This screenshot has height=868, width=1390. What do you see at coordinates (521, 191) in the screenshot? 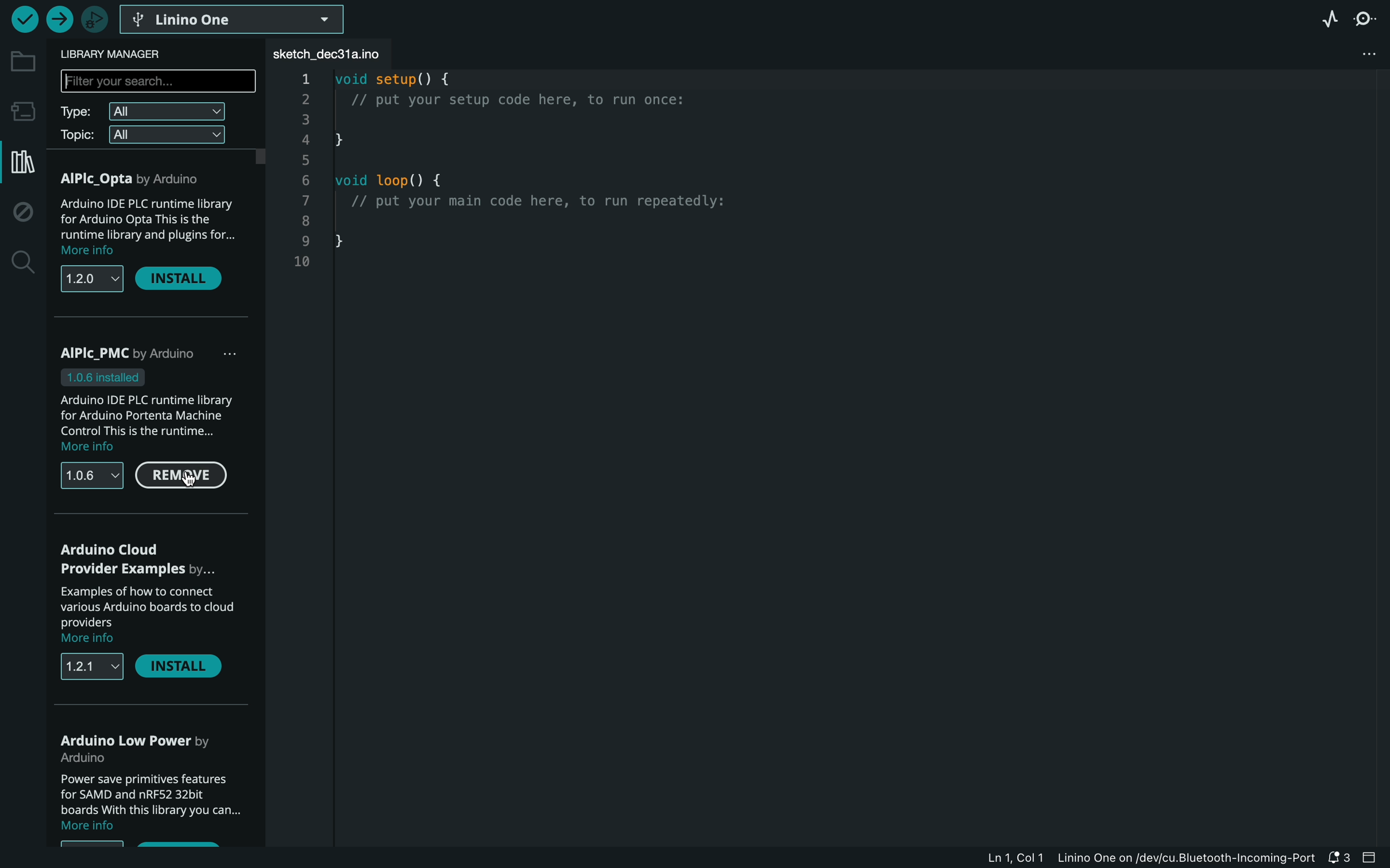
I see `code` at bounding box center [521, 191].